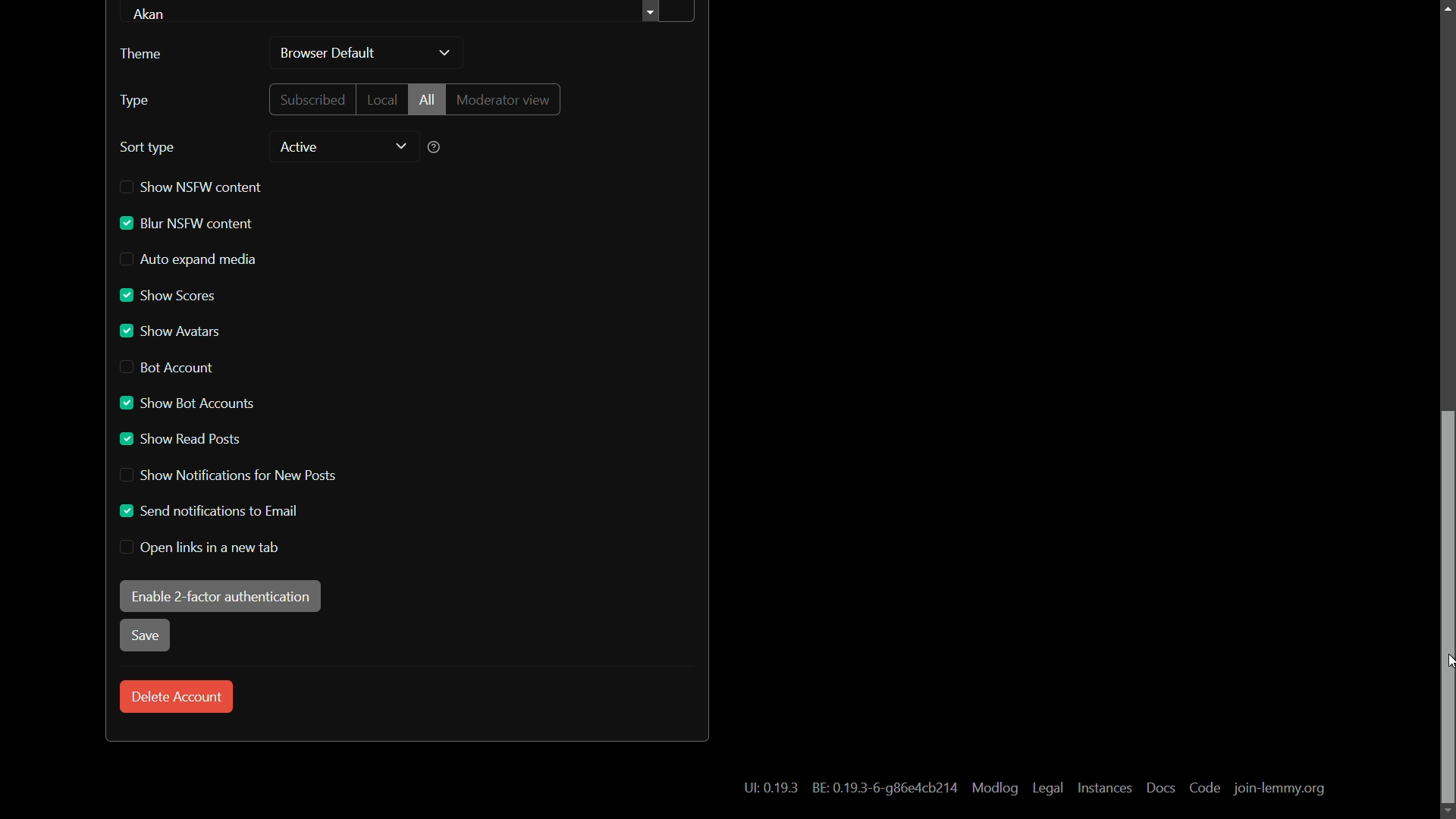  Describe the element at coordinates (329, 55) in the screenshot. I see `browser default` at that location.